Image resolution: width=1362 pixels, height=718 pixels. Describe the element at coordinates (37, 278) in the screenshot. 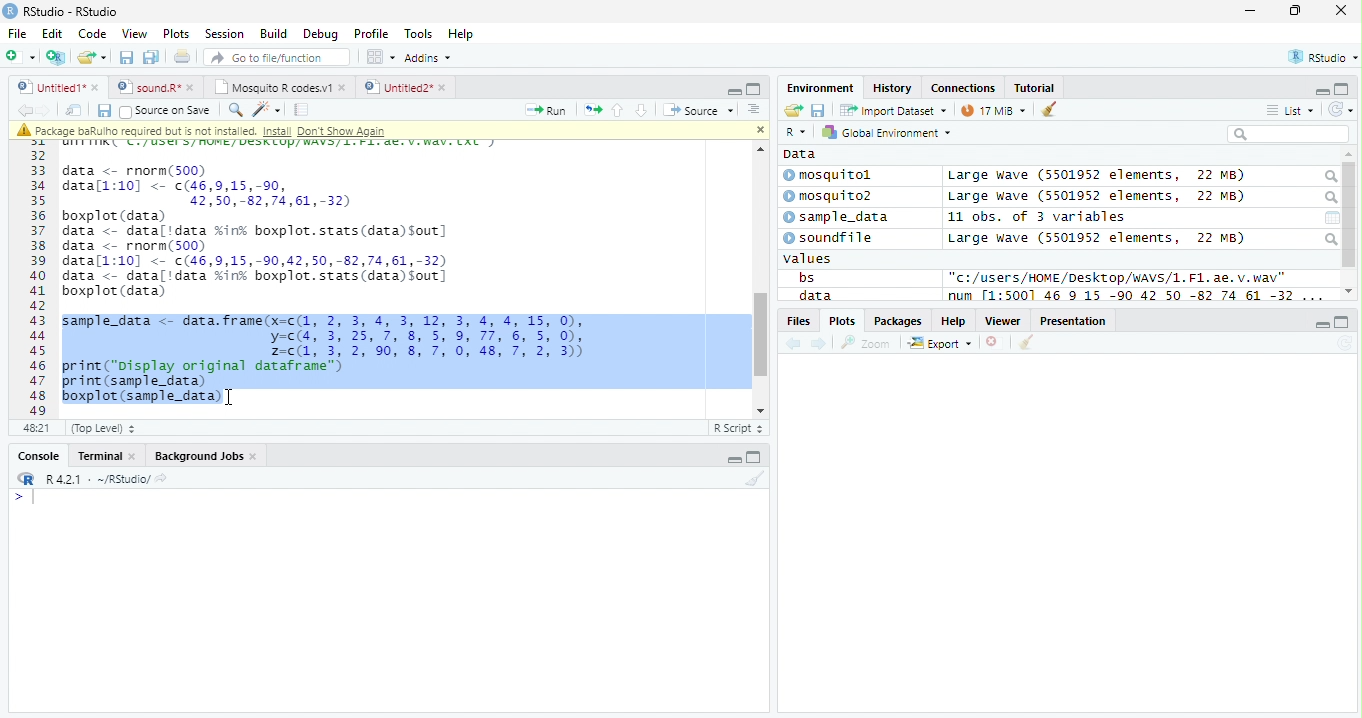

I see `Numbering line` at that location.